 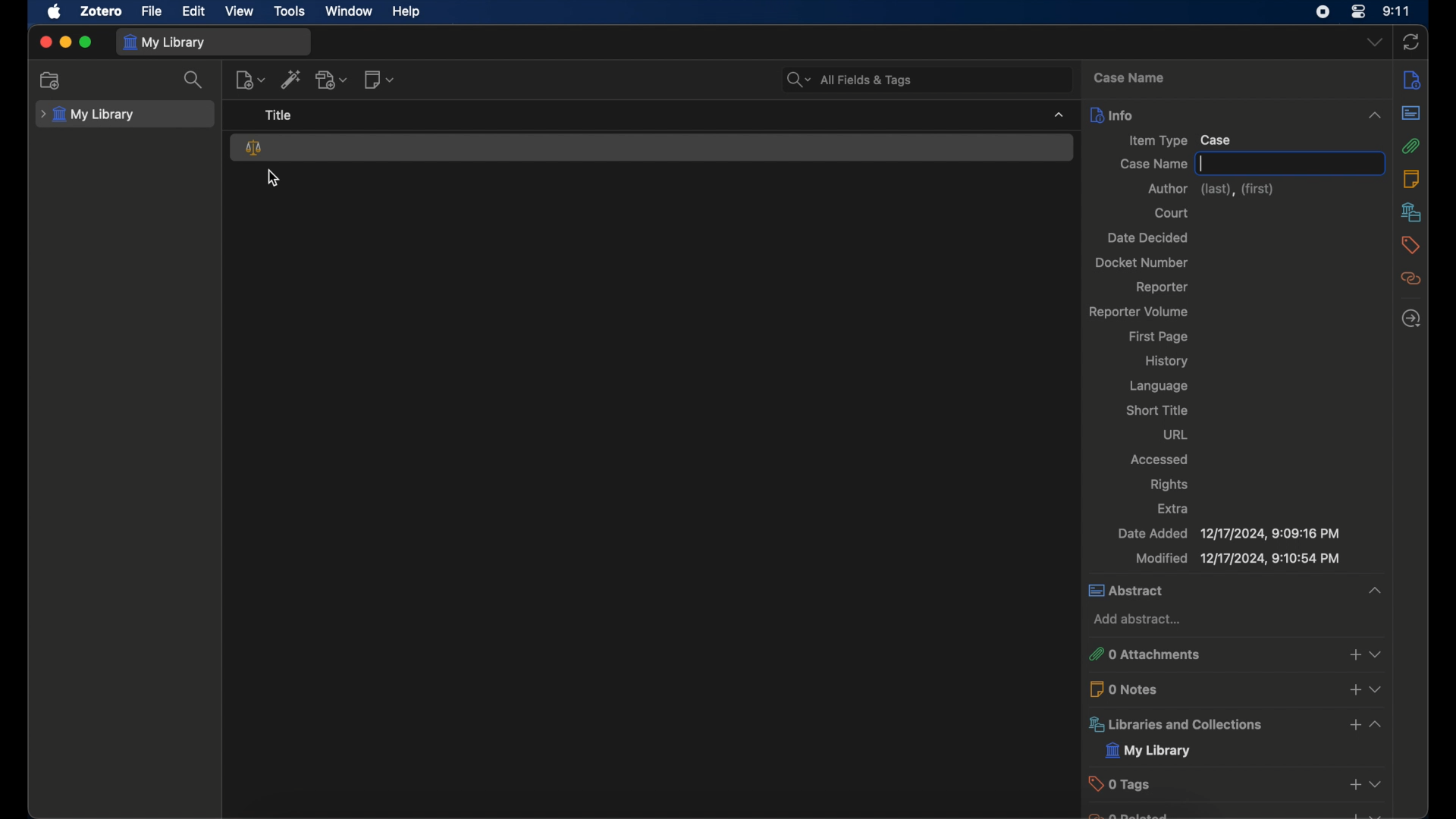 What do you see at coordinates (55, 12) in the screenshot?
I see `apple icon` at bounding box center [55, 12].